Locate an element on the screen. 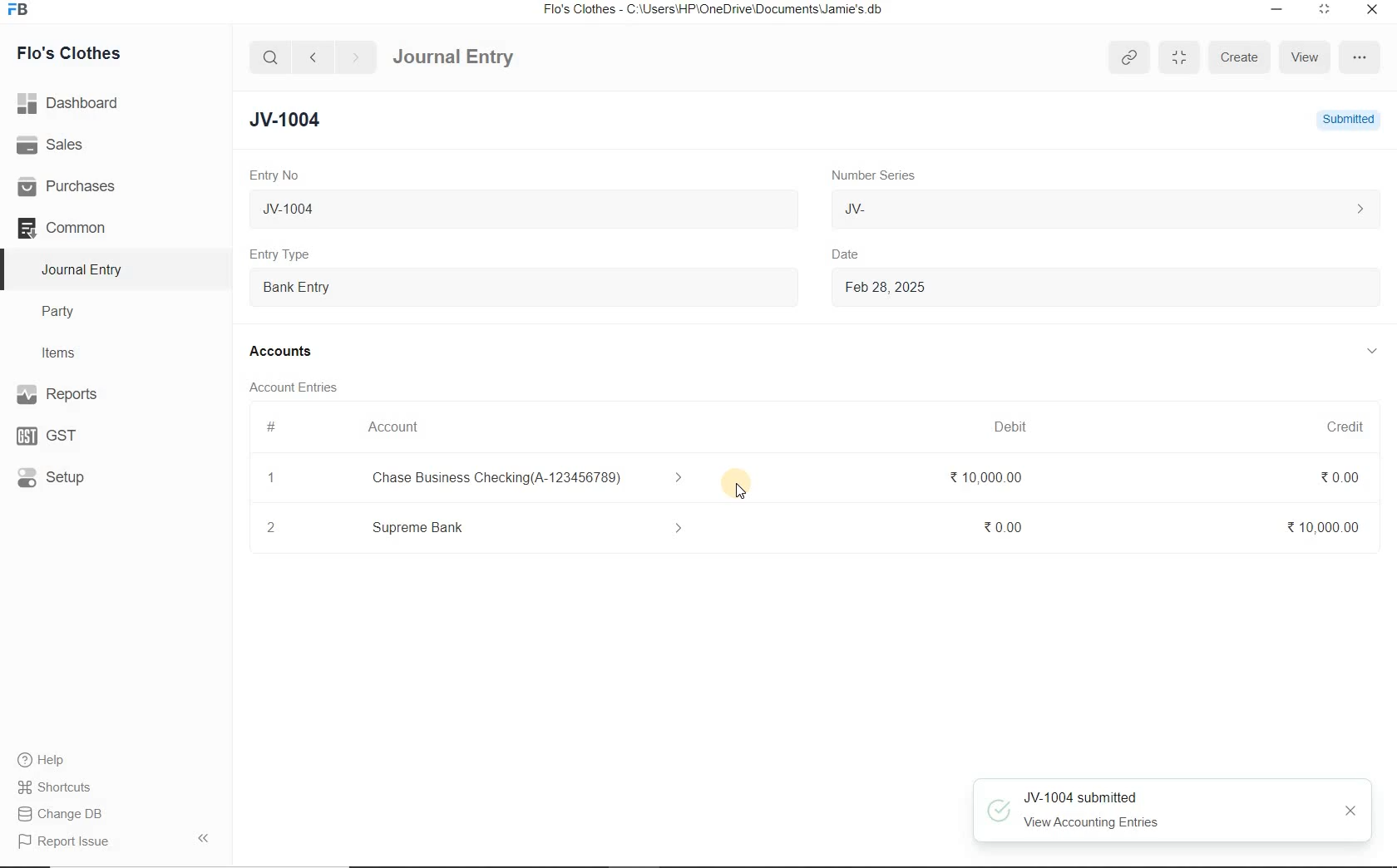  ₹10,000.00 is located at coordinates (1308, 525).